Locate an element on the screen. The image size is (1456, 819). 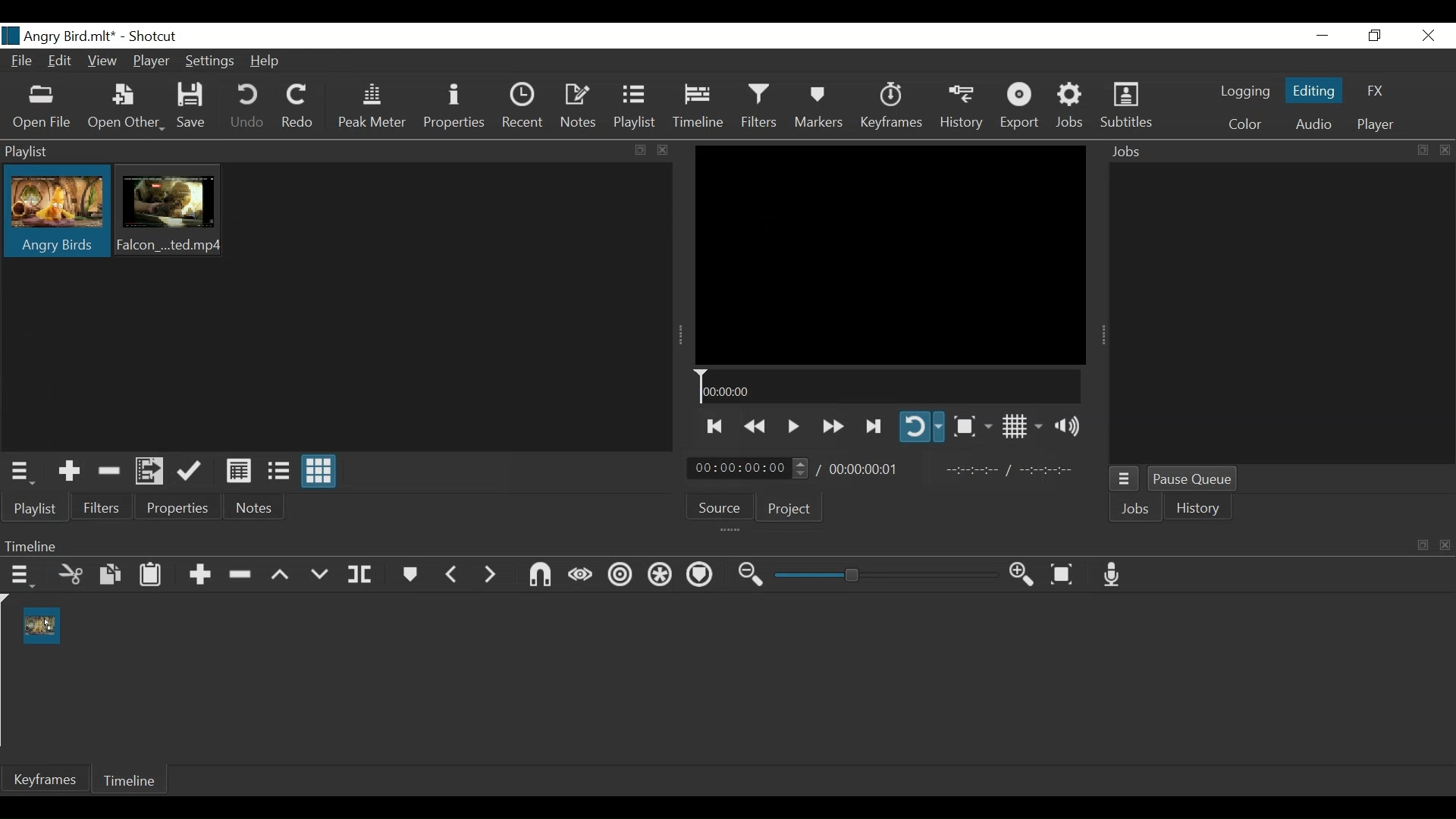
Help is located at coordinates (268, 60).